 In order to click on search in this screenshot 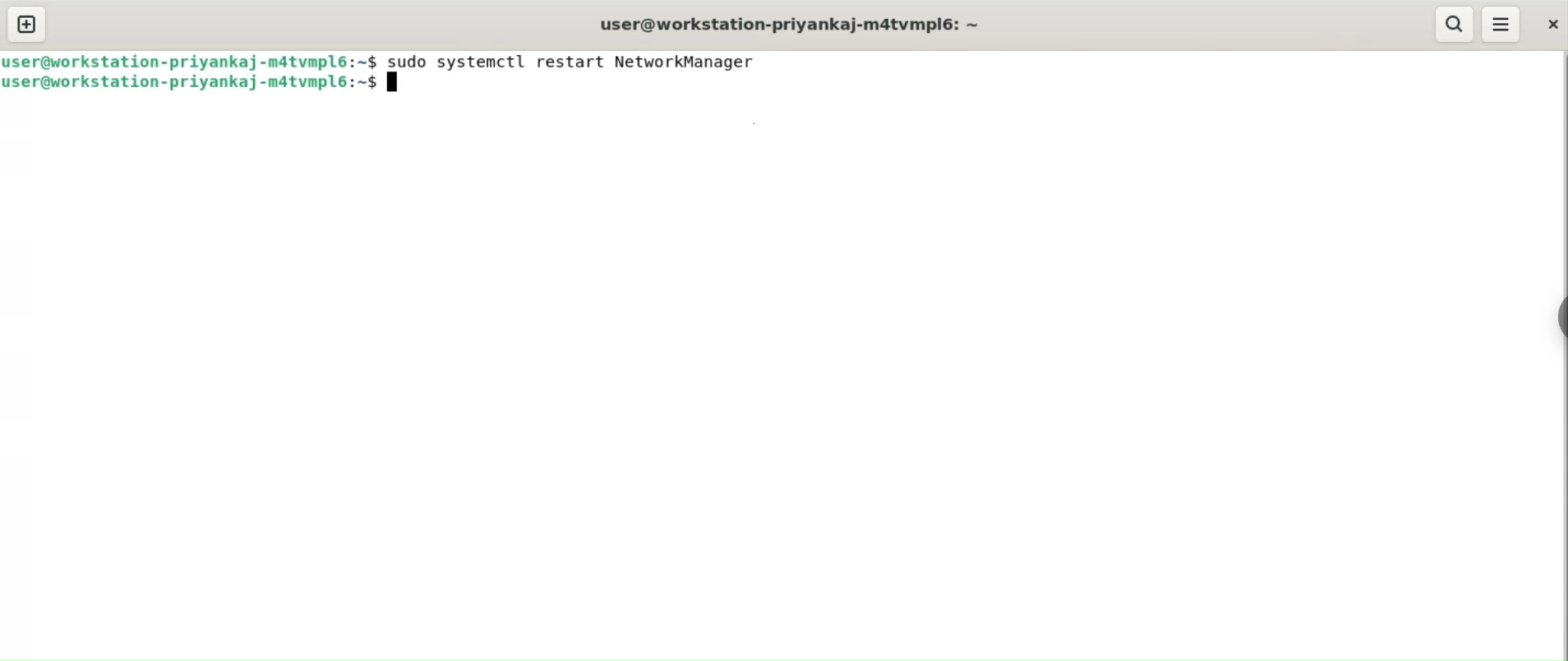, I will do `click(1453, 25)`.